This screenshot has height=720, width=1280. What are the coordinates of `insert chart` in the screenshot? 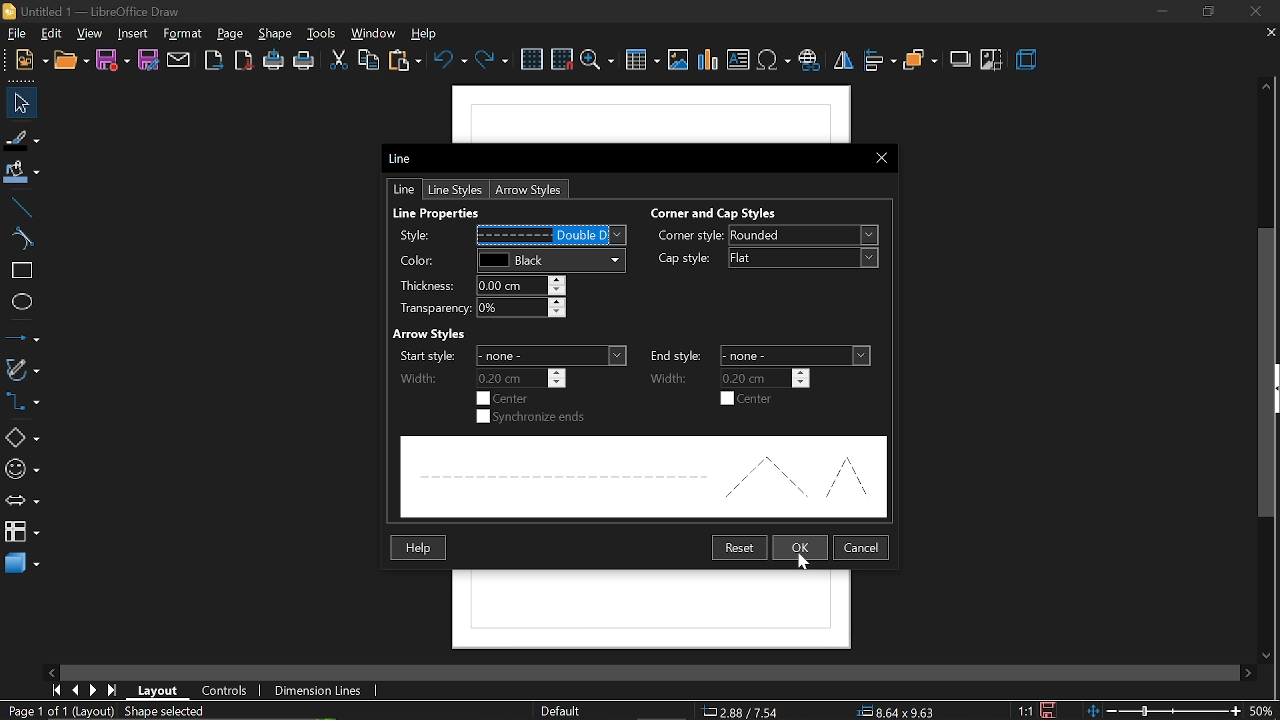 It's located at (706, 60).